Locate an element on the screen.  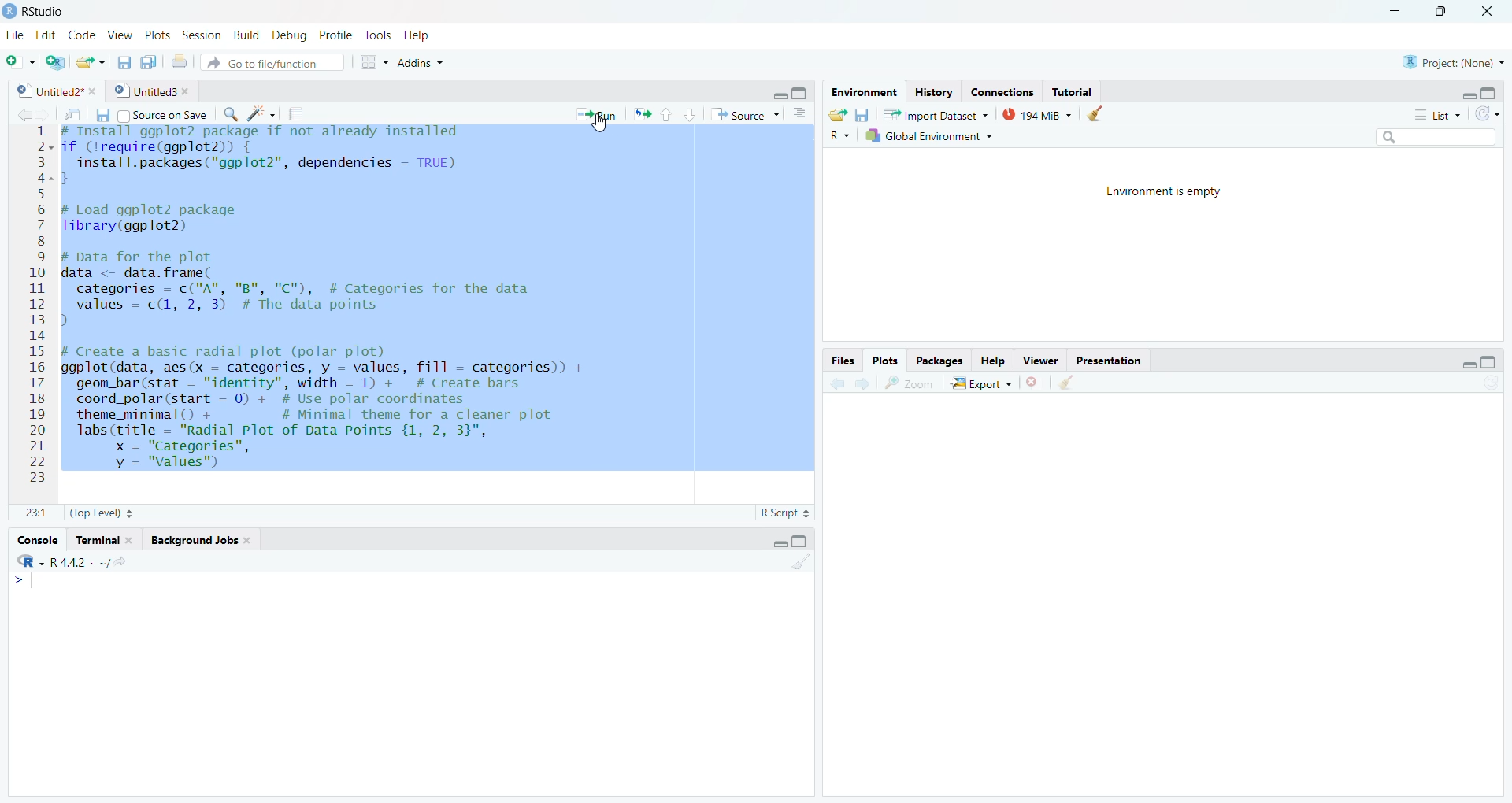
Maximize is located at coordinates (801, 92).